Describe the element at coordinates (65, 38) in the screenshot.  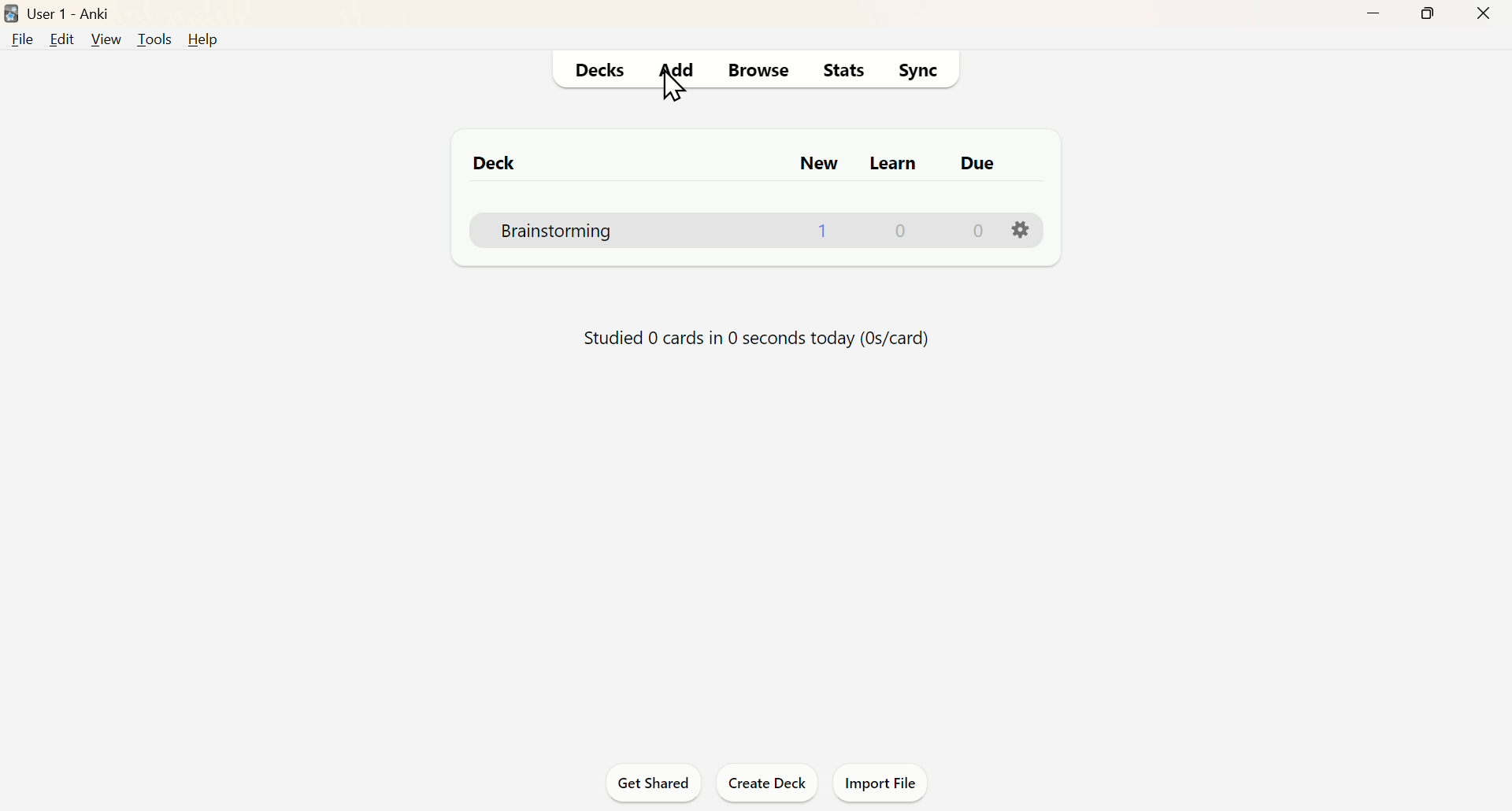
I see `` at that location.